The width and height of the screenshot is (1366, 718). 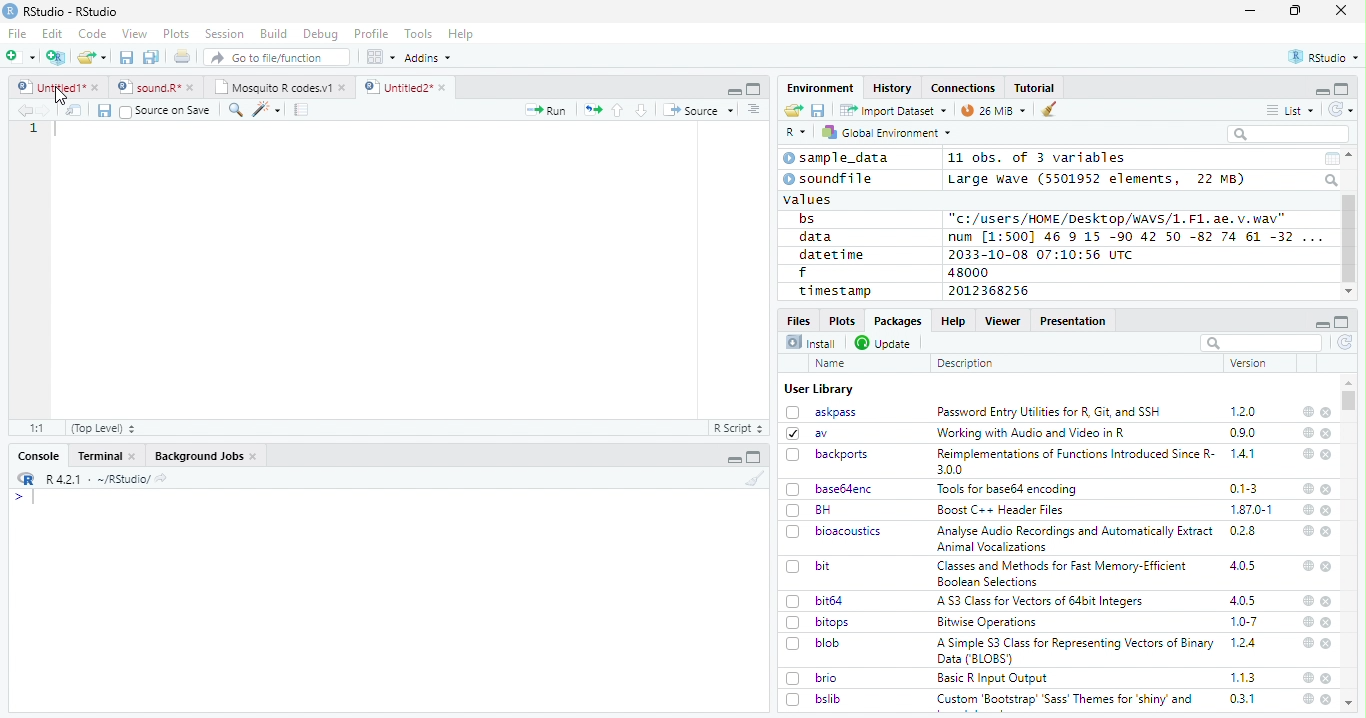 What do you see at coordinates (821, 87) in the screenshot?
I see `Environment` at bounding box center [821, 87].